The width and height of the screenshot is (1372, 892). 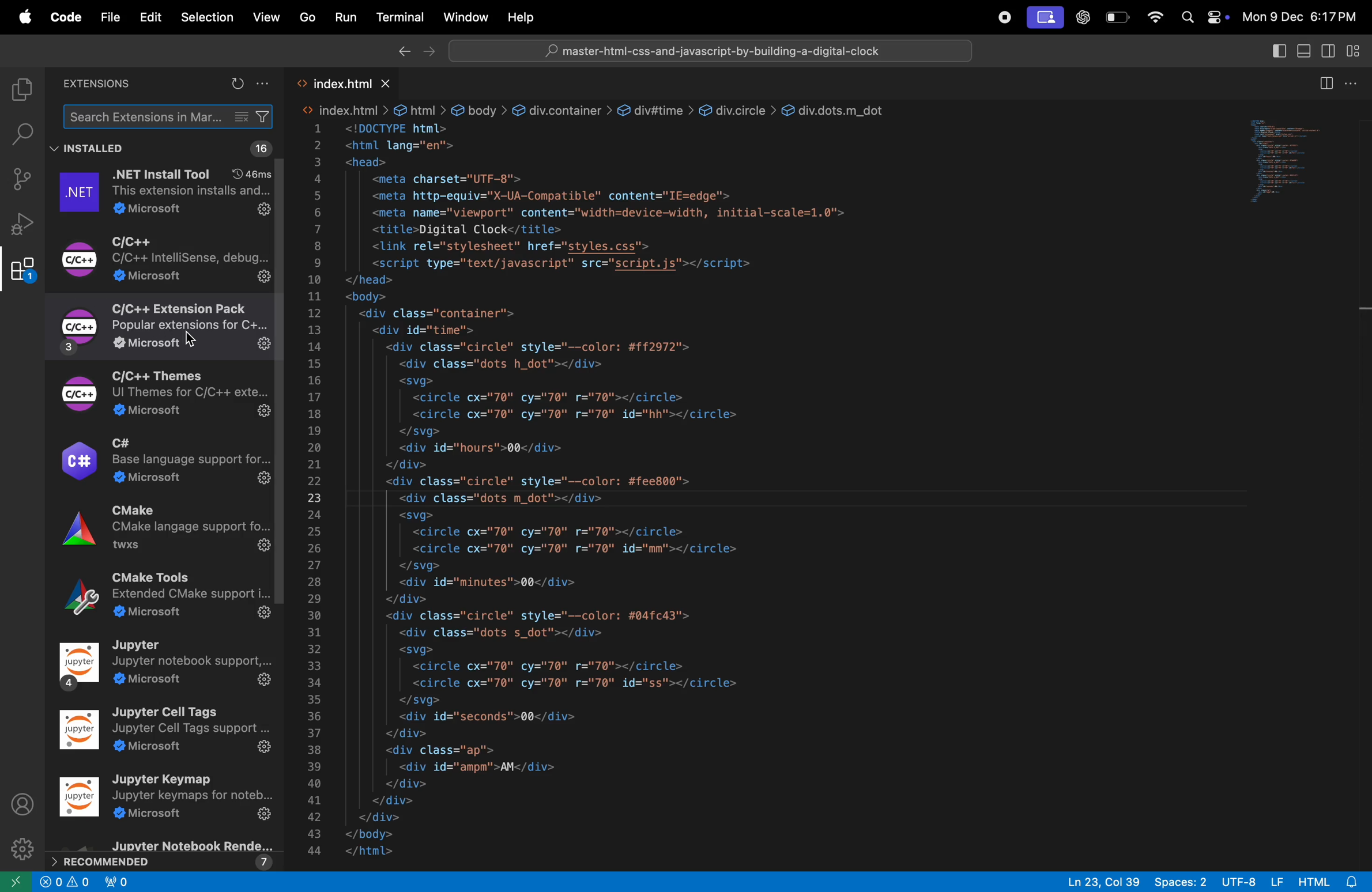 I want to click on profile, so click(x=23, y=802).